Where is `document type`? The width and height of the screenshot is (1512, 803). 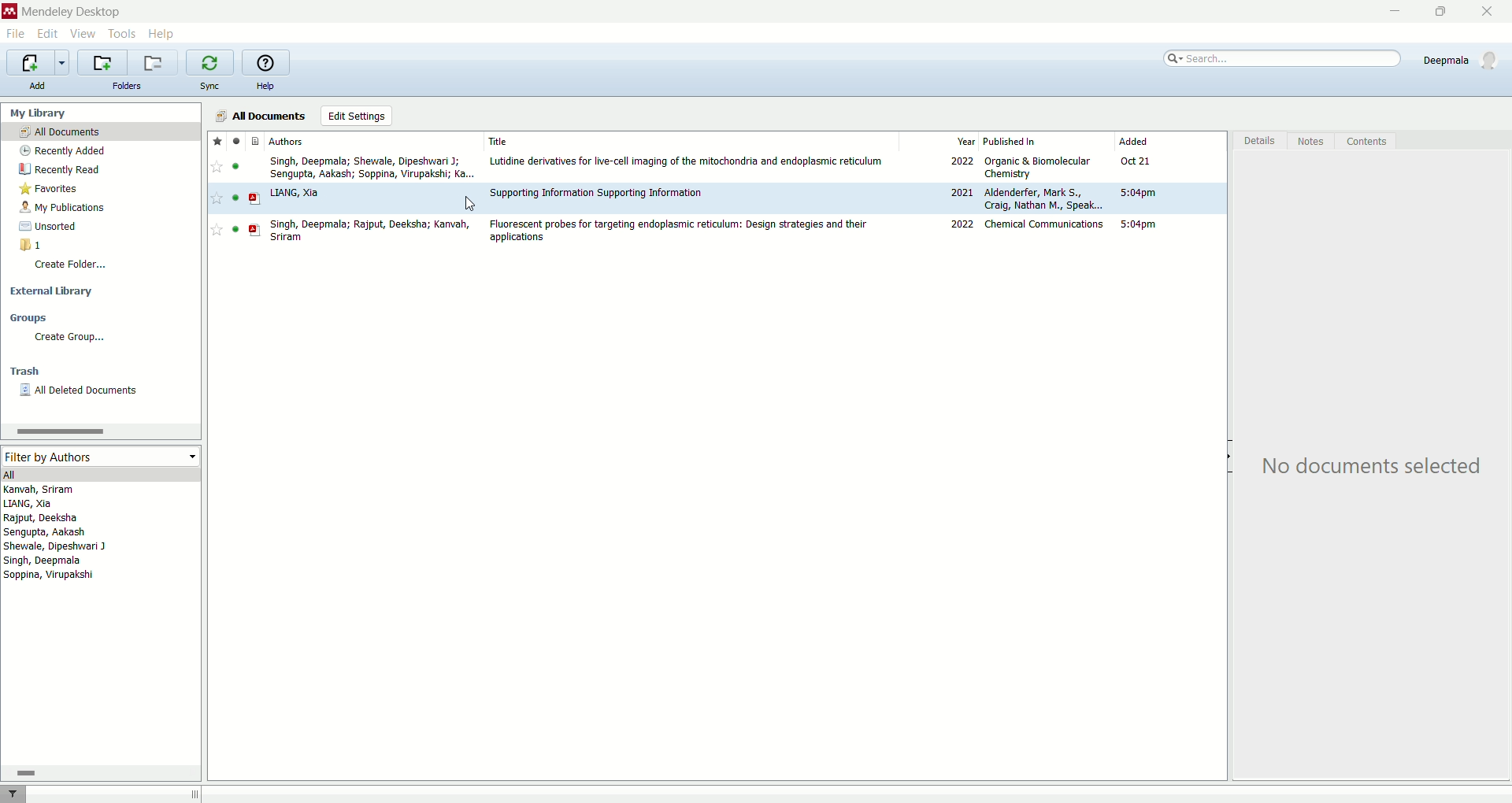
document type is located at coordinates (254, 140).